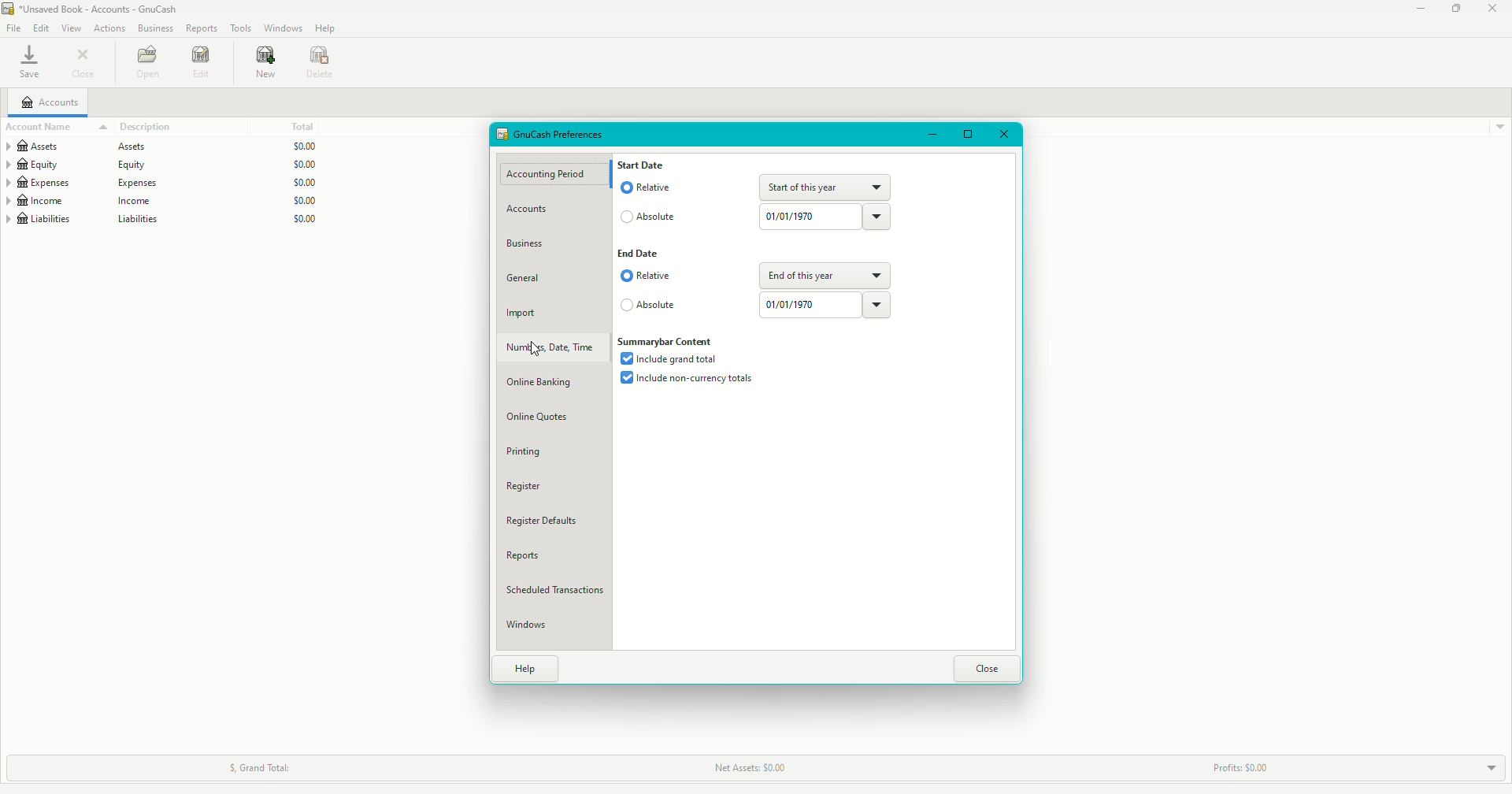 The image size is (1512, 794). Describe the element at coordinates (1253, 763) in the screenshot. I see `Profits` at that location.